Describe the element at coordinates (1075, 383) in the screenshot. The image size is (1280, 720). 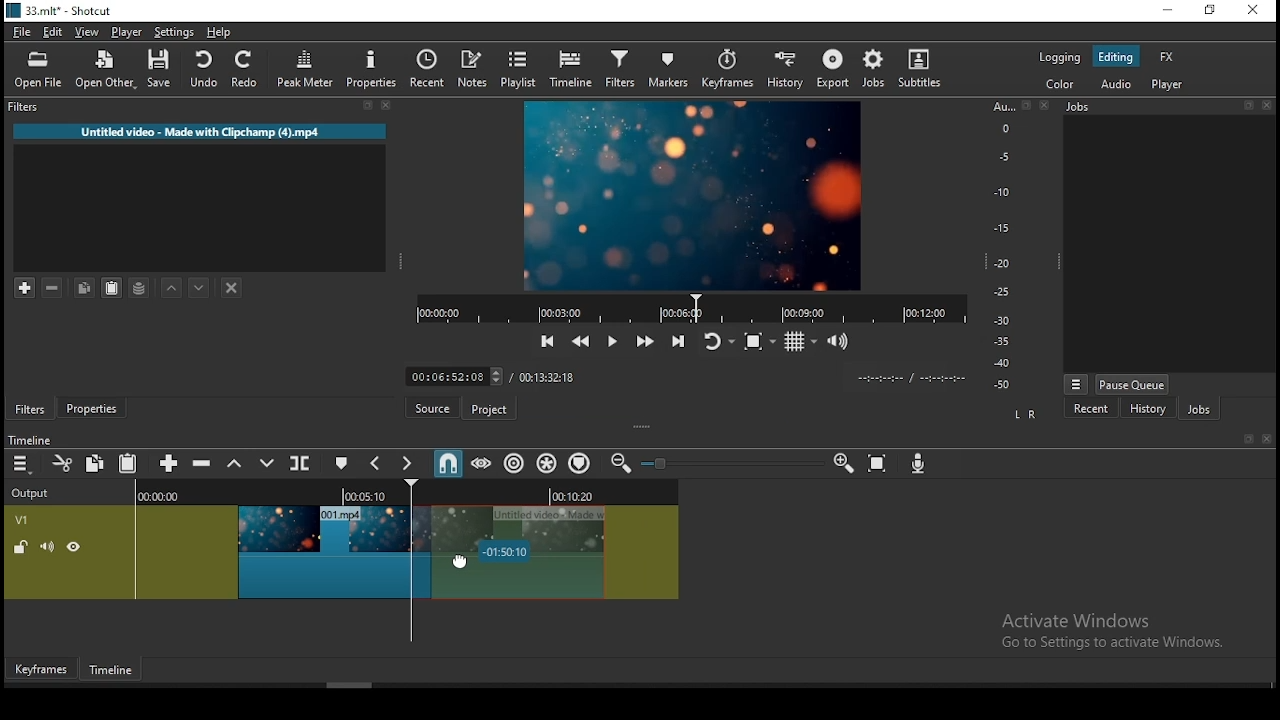
I see `view menu` at that location.